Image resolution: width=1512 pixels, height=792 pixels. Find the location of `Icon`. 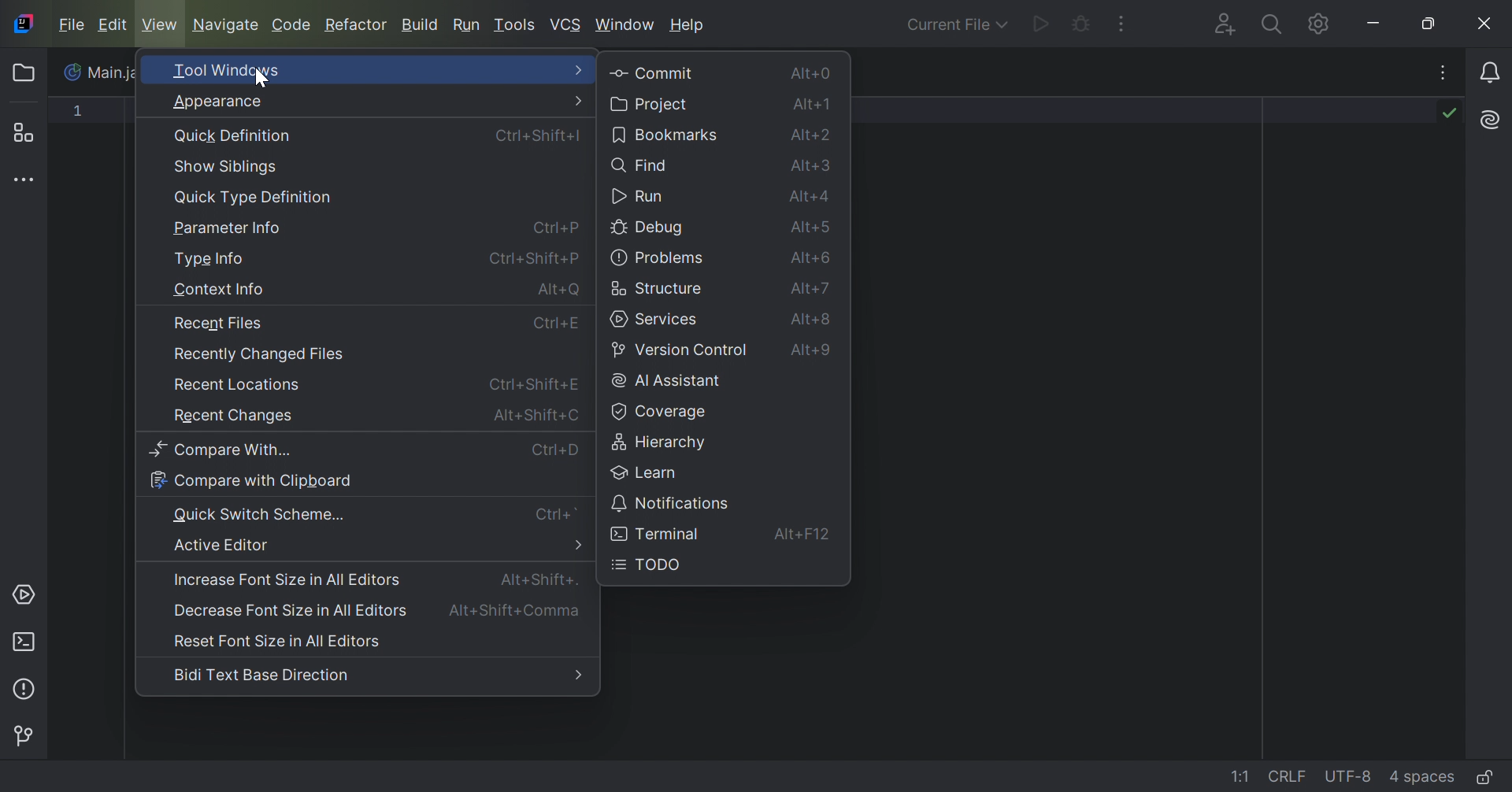

Icon is located at coordinates (74, 72).